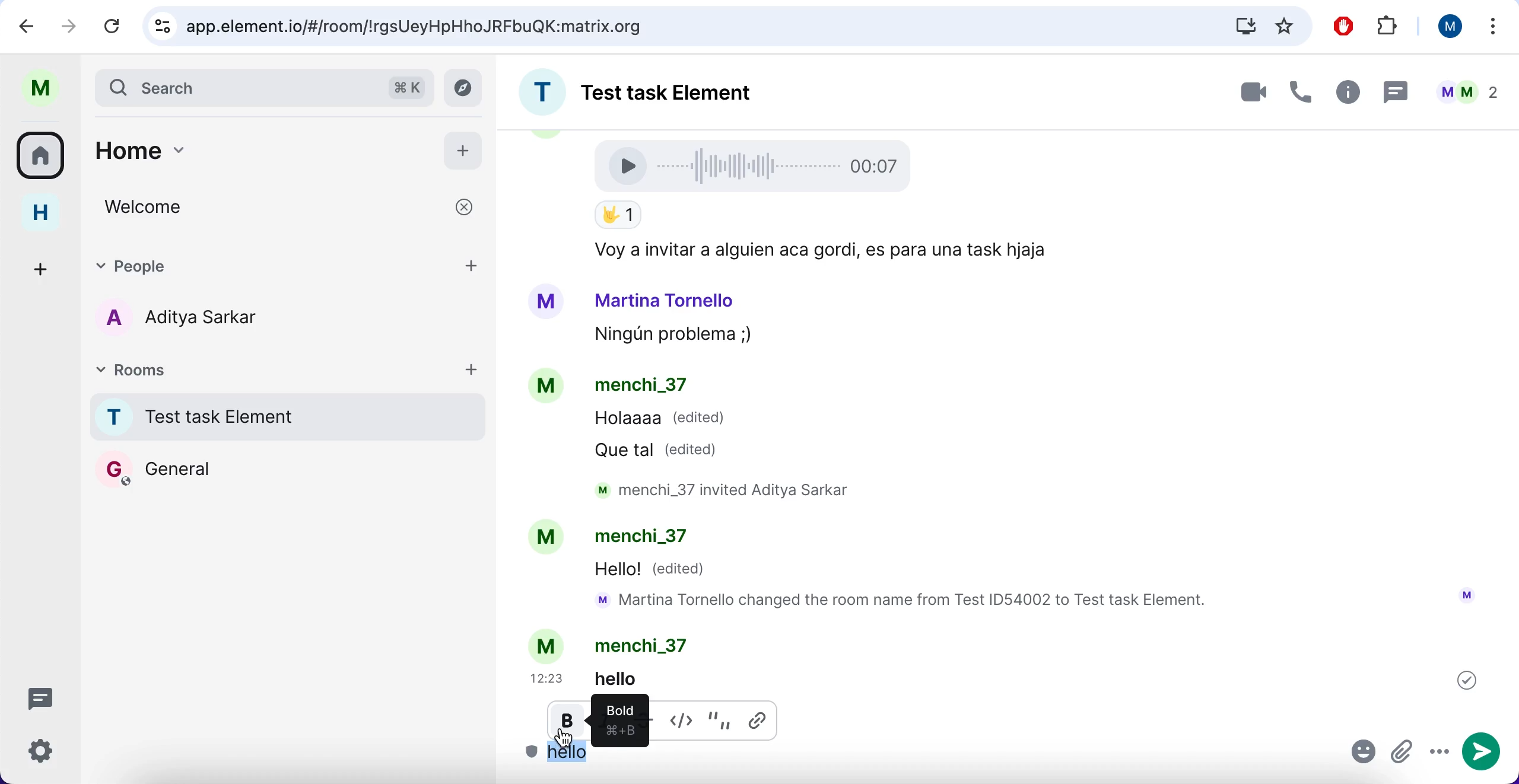 The image size is (1519, 784). Describe the element at coordinates (112, 26) in the screenshot. I see `reload current page` at that location.